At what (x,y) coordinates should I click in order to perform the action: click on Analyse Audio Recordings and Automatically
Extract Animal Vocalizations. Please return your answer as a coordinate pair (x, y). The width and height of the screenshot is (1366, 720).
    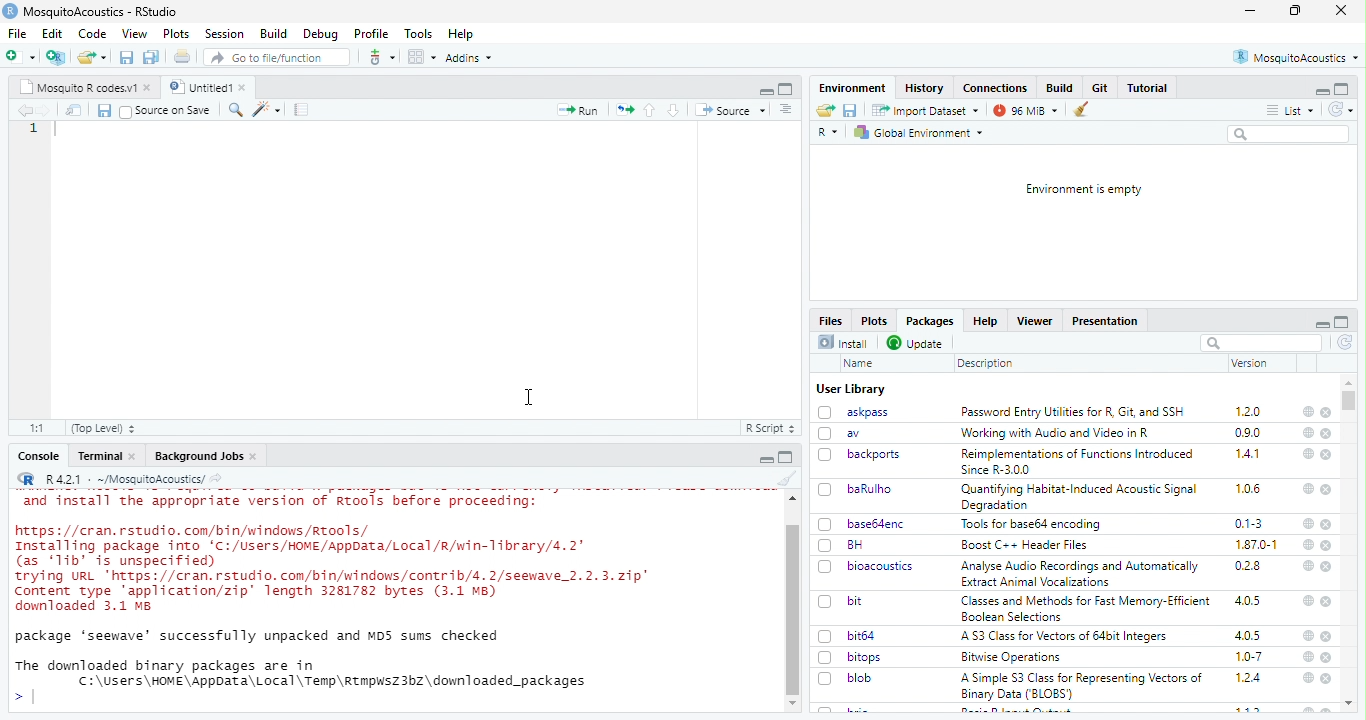
    Looking at the image, I should click on (1082, 573).